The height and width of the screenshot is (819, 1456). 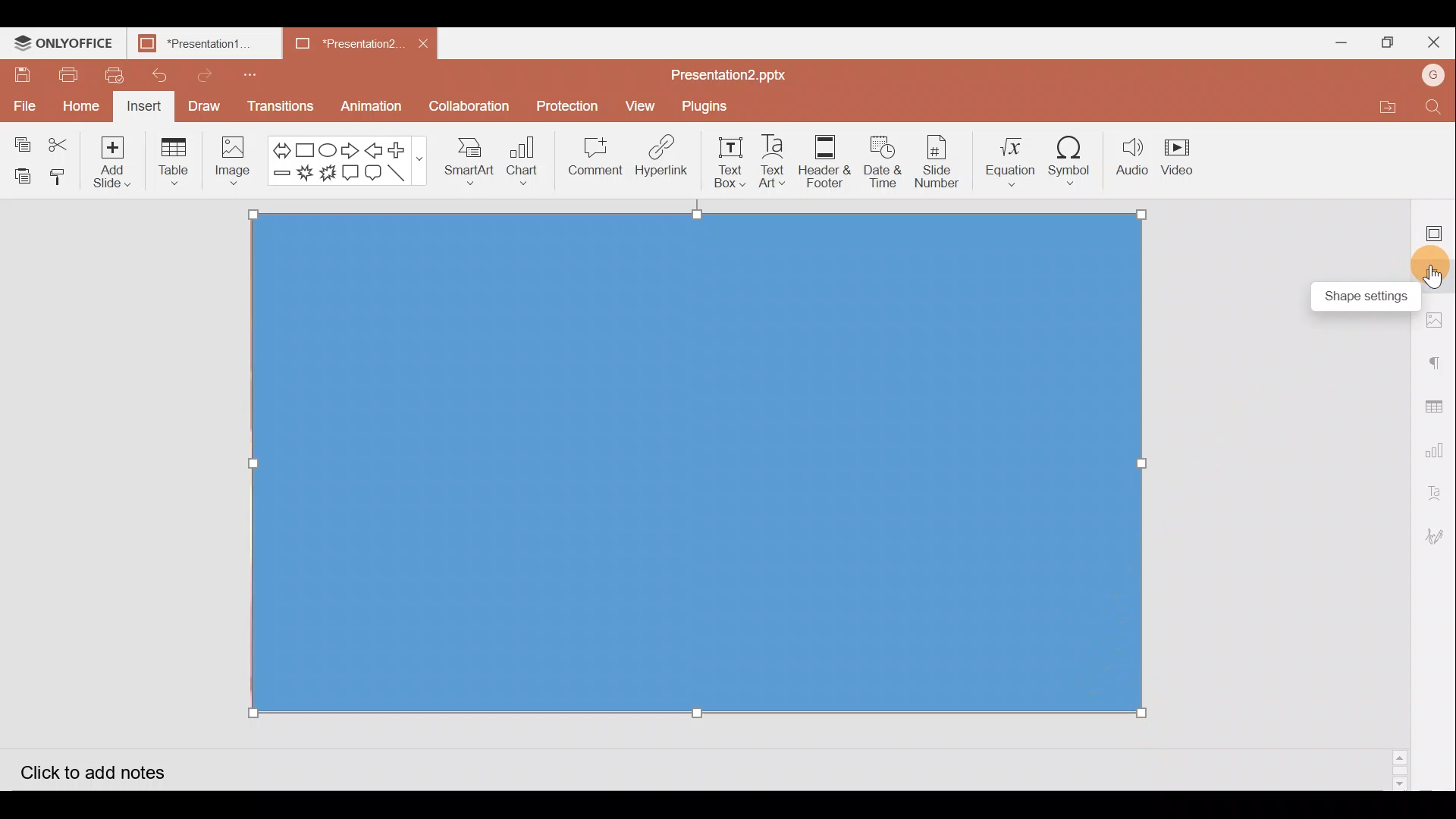 What do you see at coordinates (710, 106) in the screenshot?
I see `Plugins` at bounding box center [710, 106].